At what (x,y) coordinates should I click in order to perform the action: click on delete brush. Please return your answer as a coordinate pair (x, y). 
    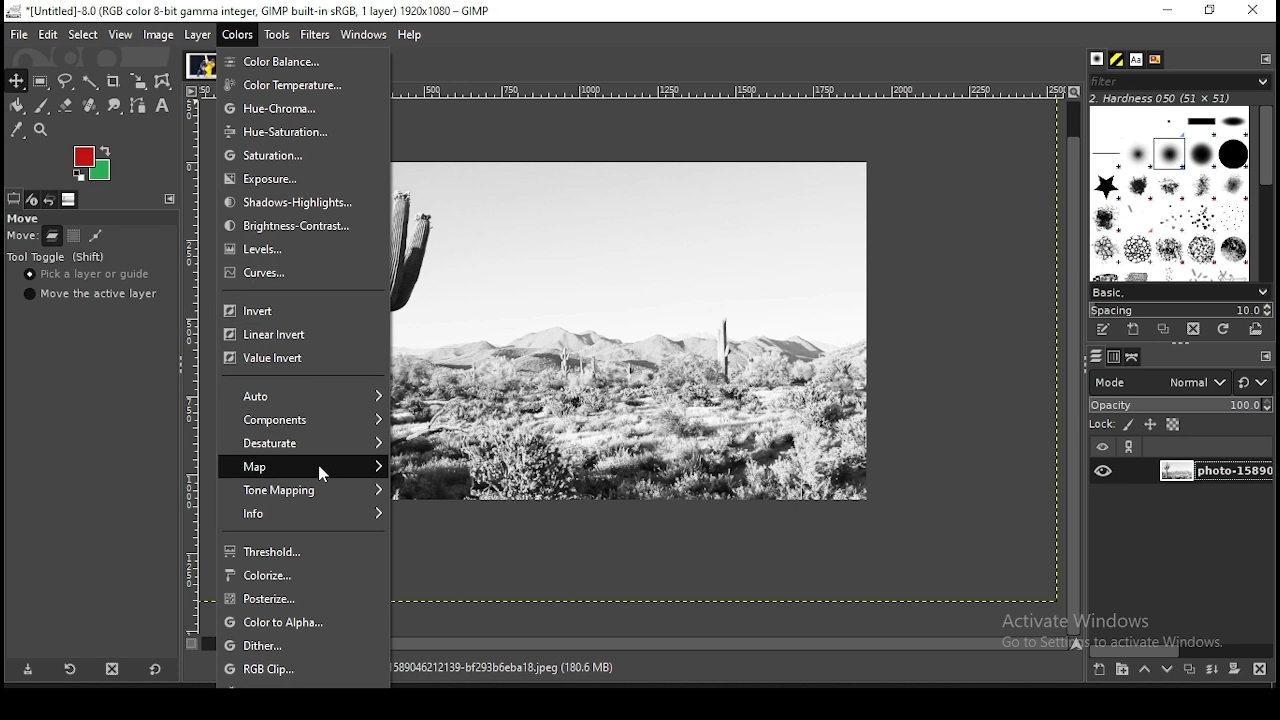
    Looking at the image, I should click on (1193, 330).